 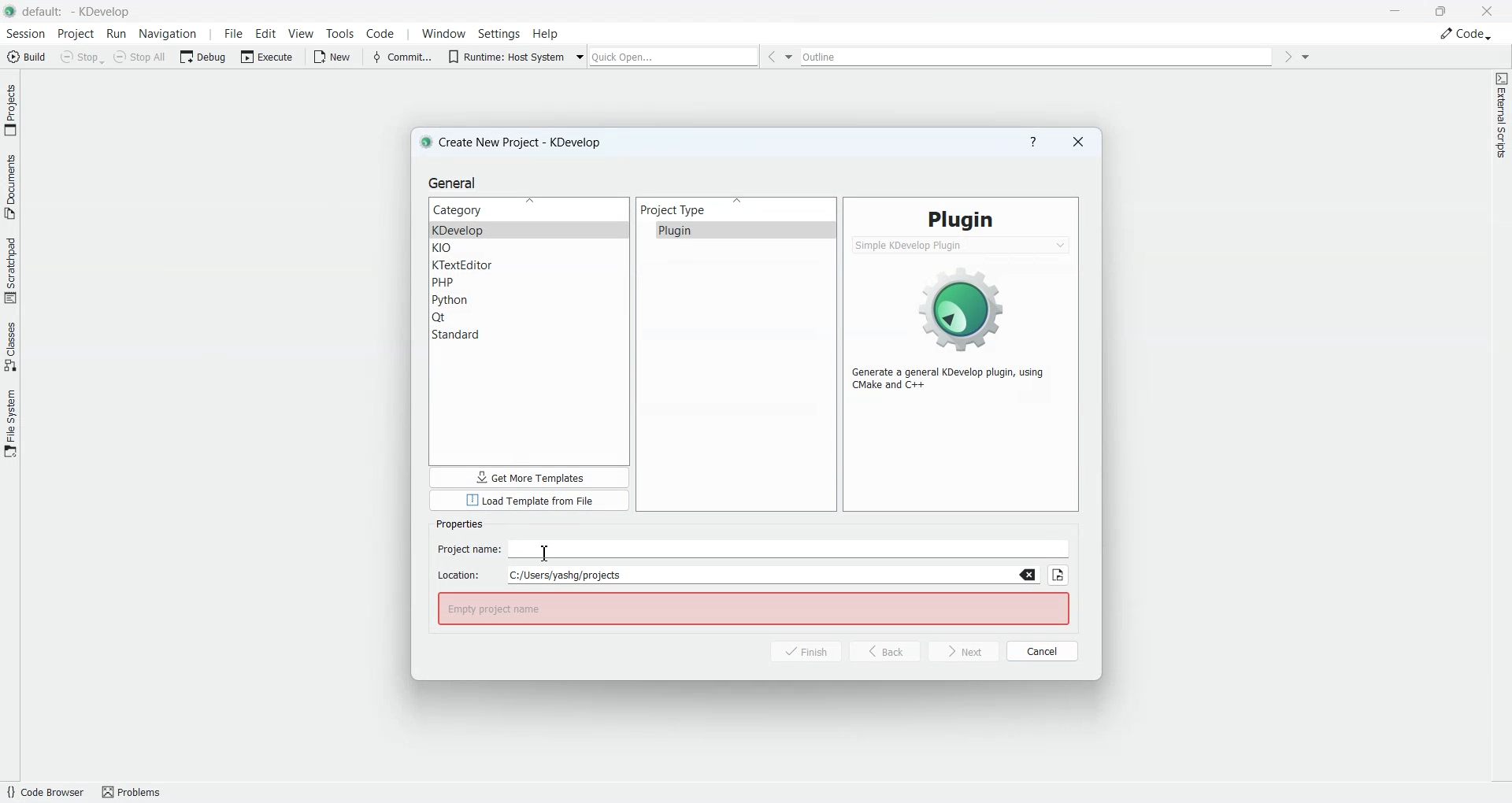 What do you see at coordinates (1033, 142) in the screenshot?
I see `Help` at bounding box center [1033, 142].